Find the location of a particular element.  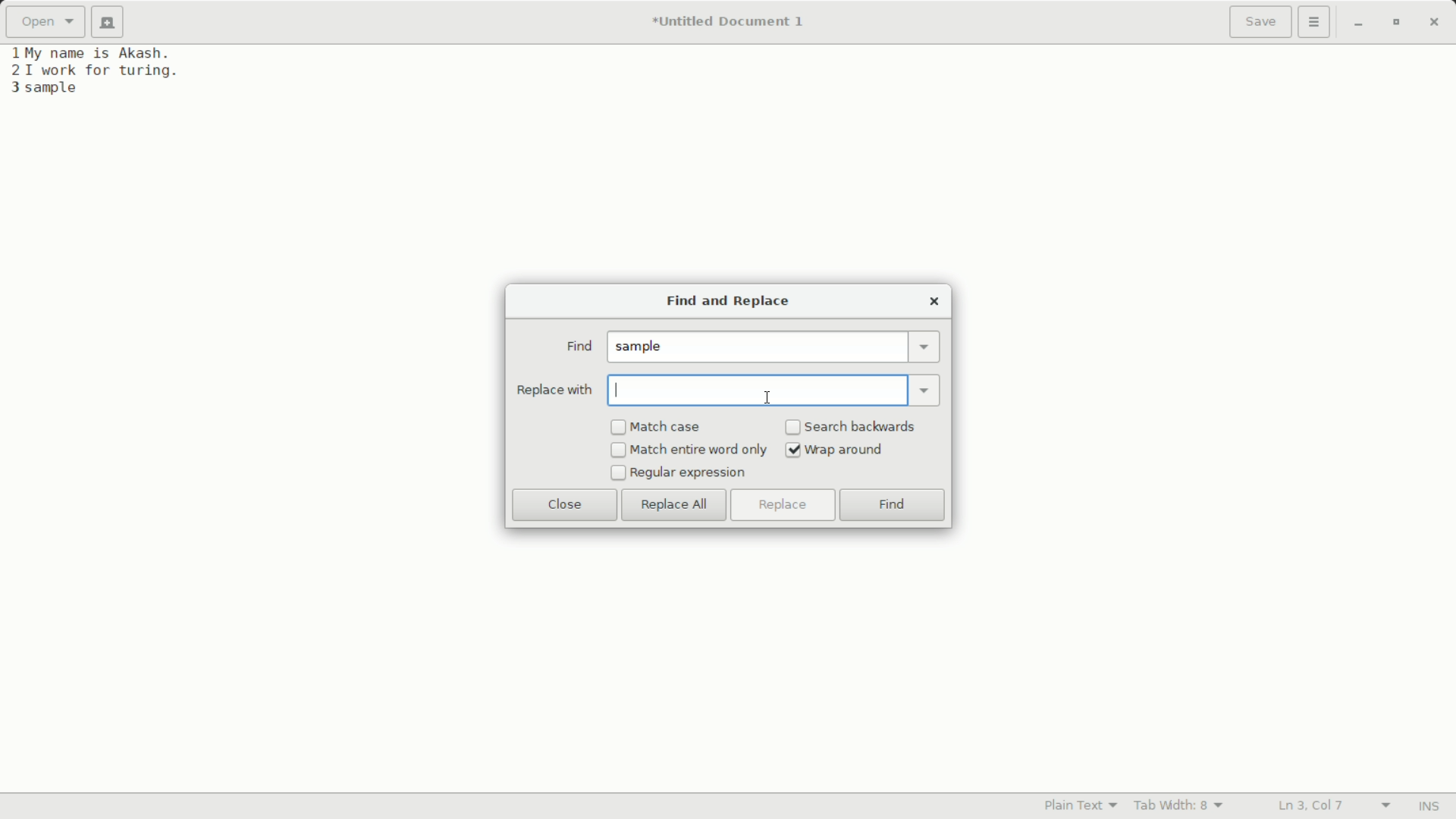

more options is located at coordinates (1316, 22).